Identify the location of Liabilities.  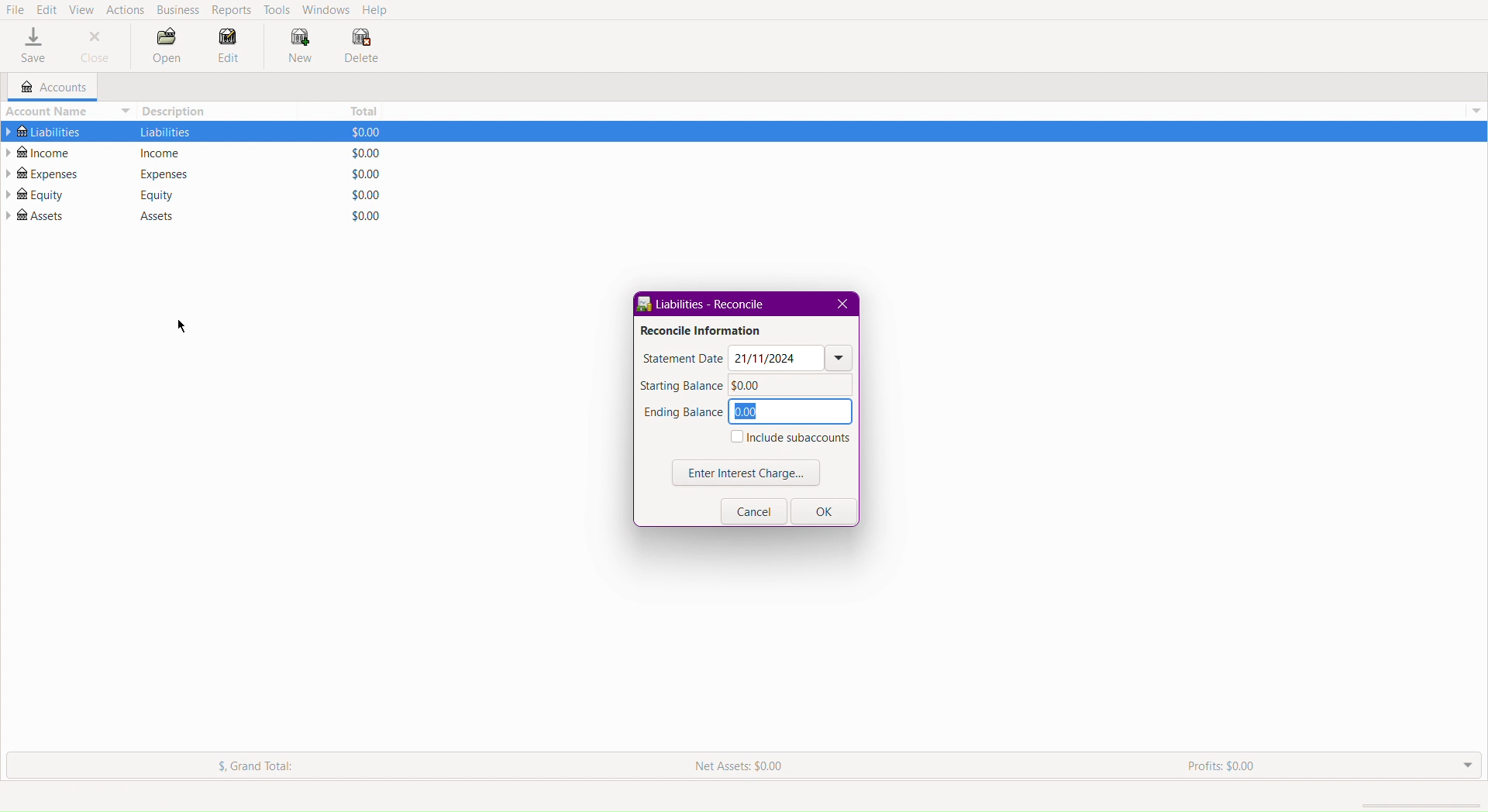
(42, 132).